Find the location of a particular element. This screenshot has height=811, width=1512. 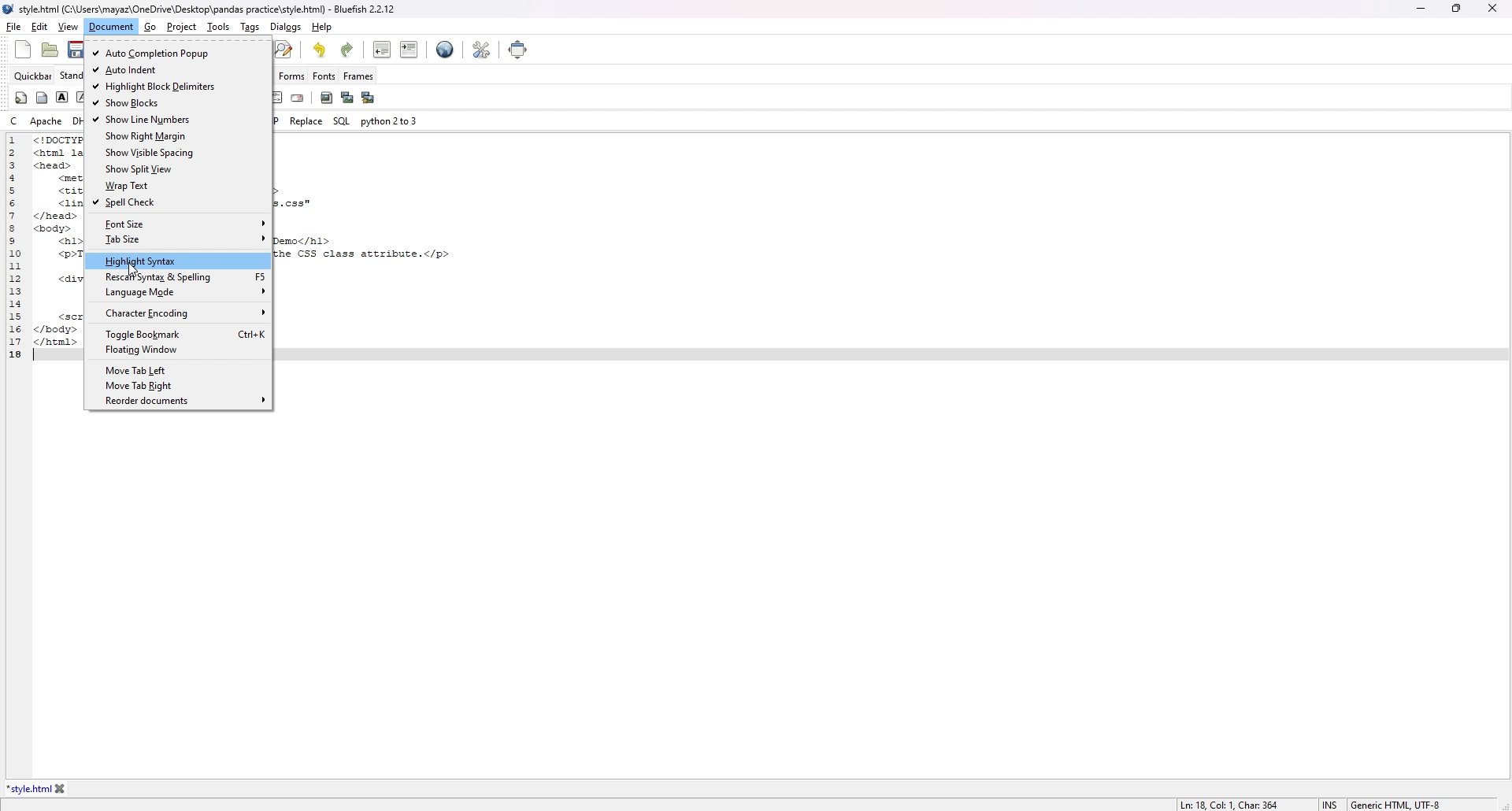

help is located at coordinates (321, 27).